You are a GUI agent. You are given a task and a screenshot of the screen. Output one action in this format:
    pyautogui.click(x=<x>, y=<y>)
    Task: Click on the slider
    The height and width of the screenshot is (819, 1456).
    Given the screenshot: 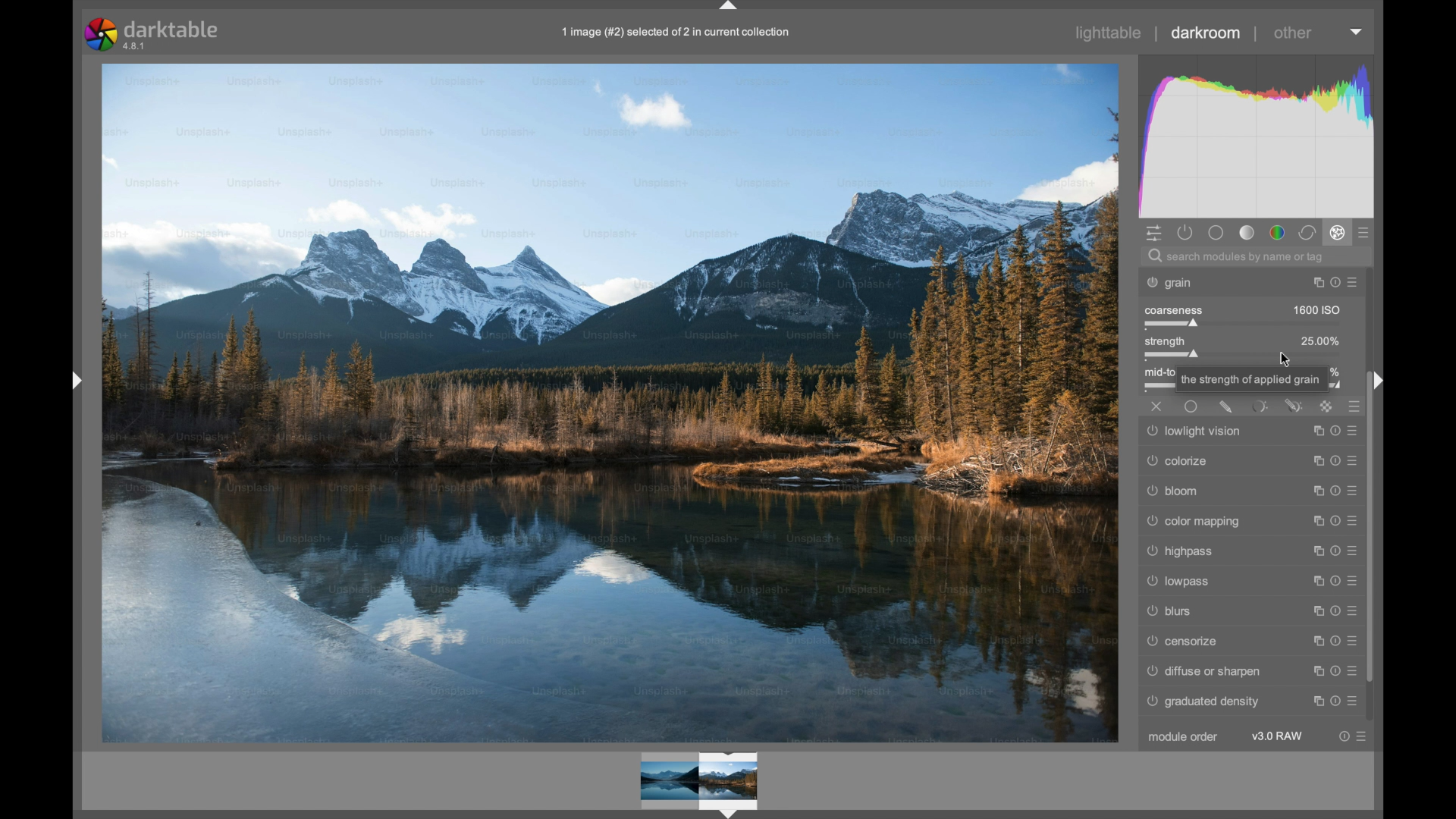 What is the action you would take?
    pyautogui.click(x=1174, y=356)
    